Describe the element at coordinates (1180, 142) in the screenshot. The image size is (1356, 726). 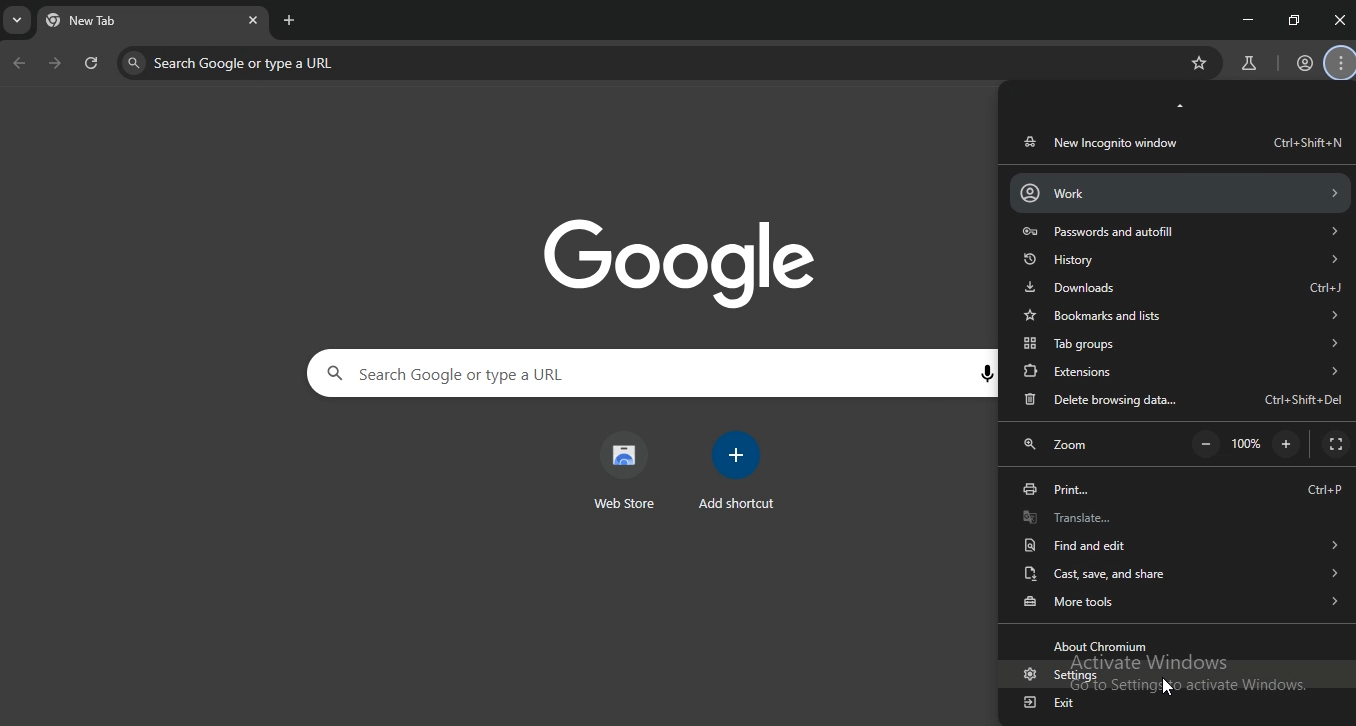
I see `new incognito window` at that location.